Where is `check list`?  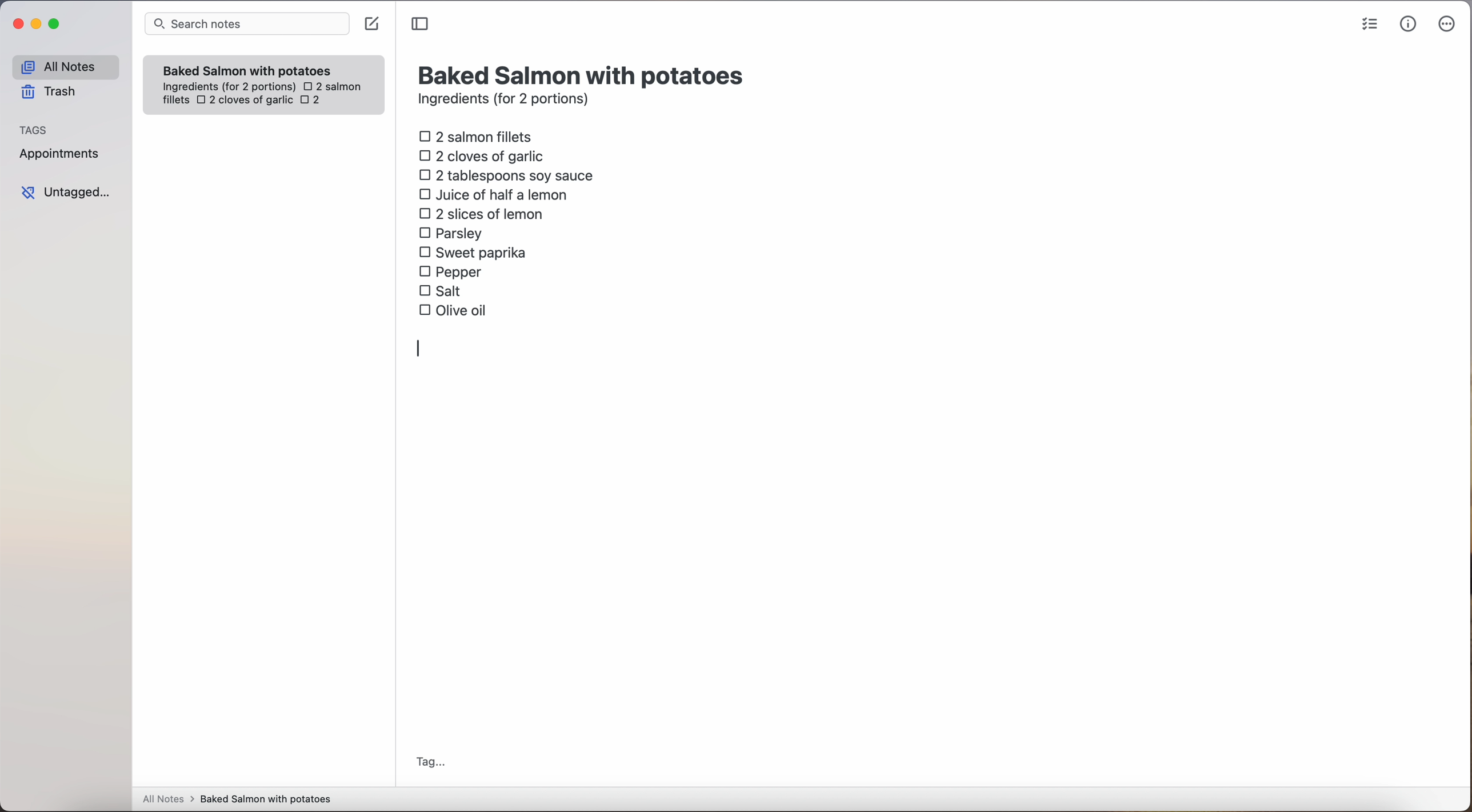 check list is located at coordinates (1370, 25).